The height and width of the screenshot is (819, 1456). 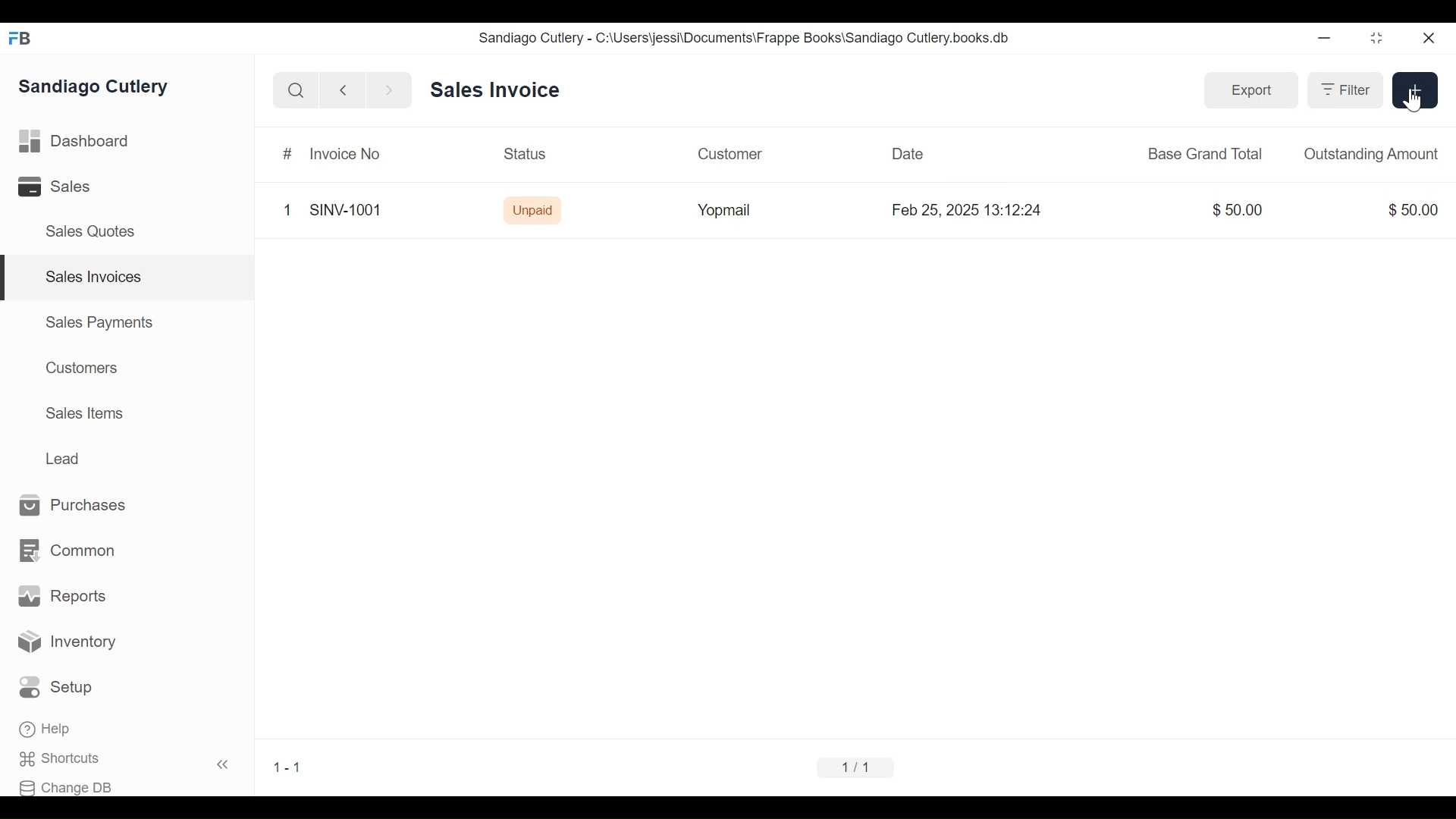 I want to click on Sales Invoice, so click(x=494, y=91).